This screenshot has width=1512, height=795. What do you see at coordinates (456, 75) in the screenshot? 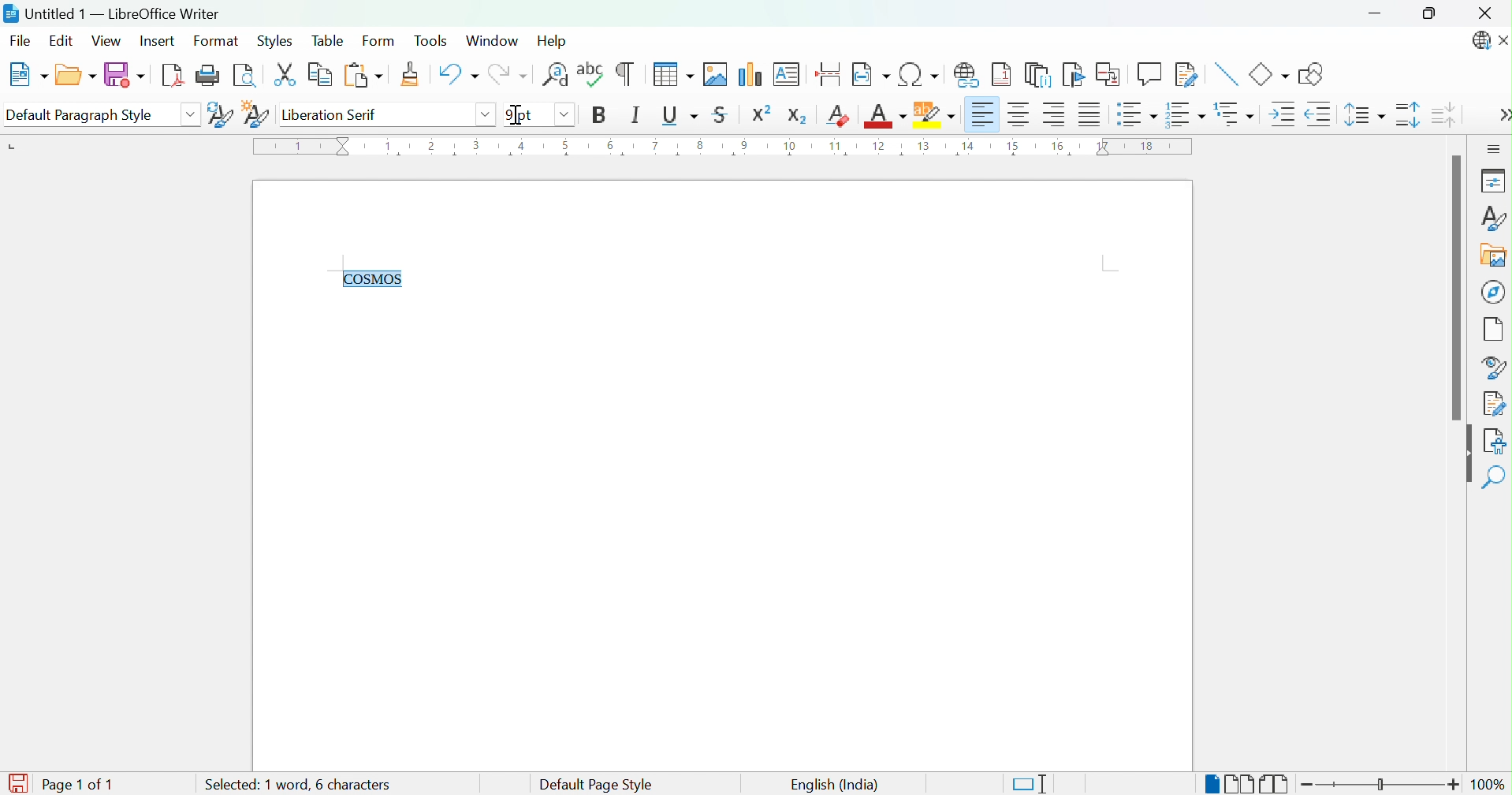
I see `Undo` at bounding box center [456, 75].